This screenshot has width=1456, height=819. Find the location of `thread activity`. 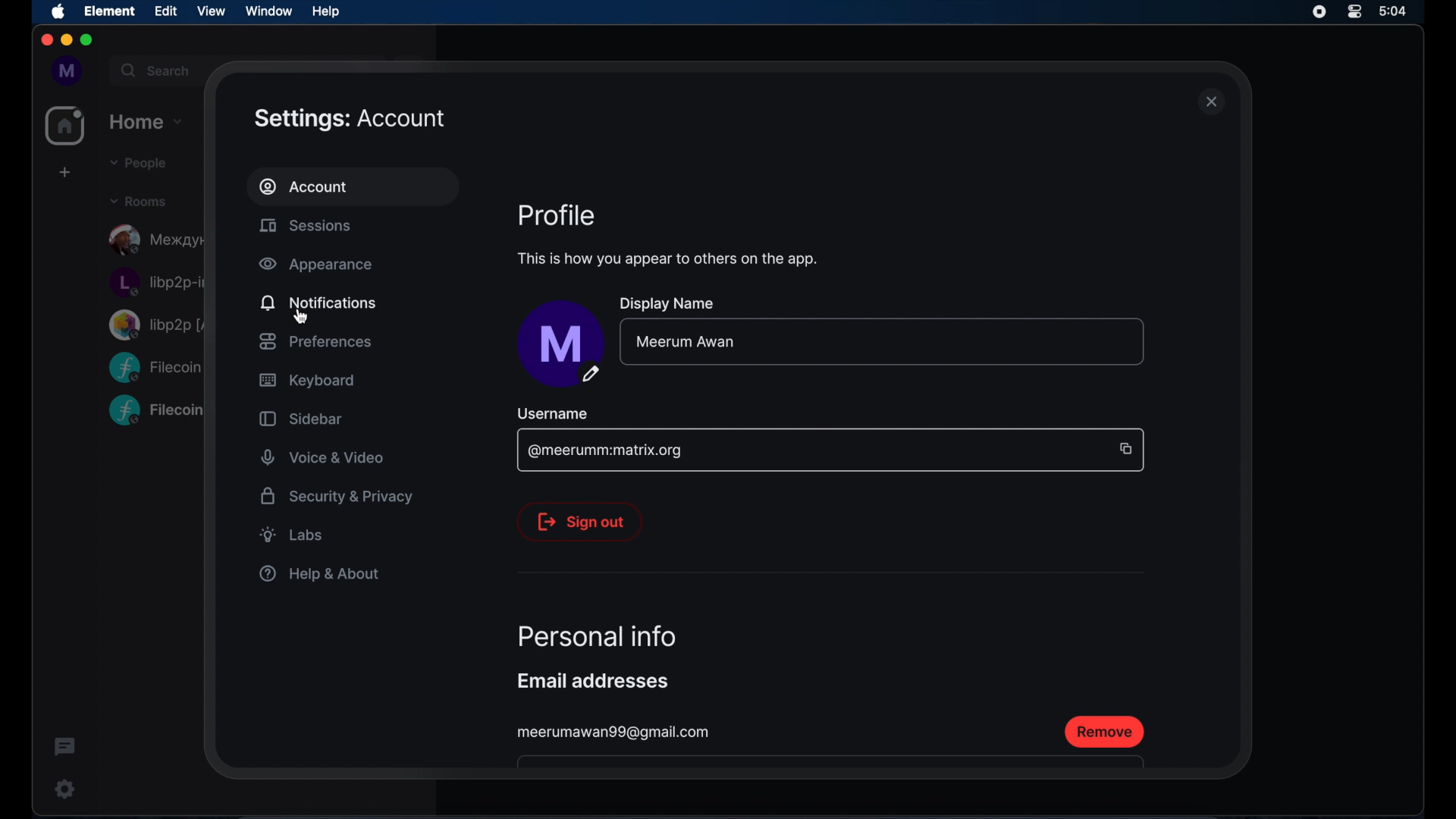

thread activity is located at coordinates (66, 748).